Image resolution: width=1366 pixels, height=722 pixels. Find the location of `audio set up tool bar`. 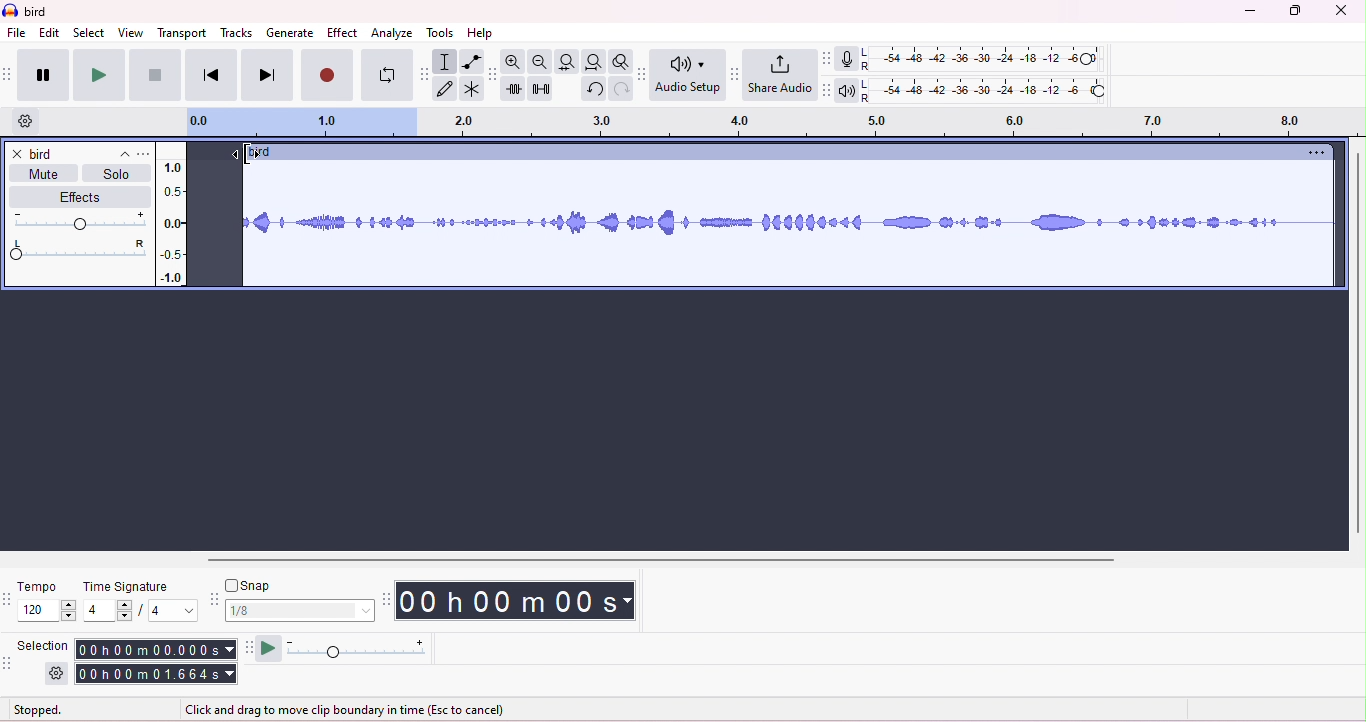

audio set up tool bar is located at coordinates (644, 72).